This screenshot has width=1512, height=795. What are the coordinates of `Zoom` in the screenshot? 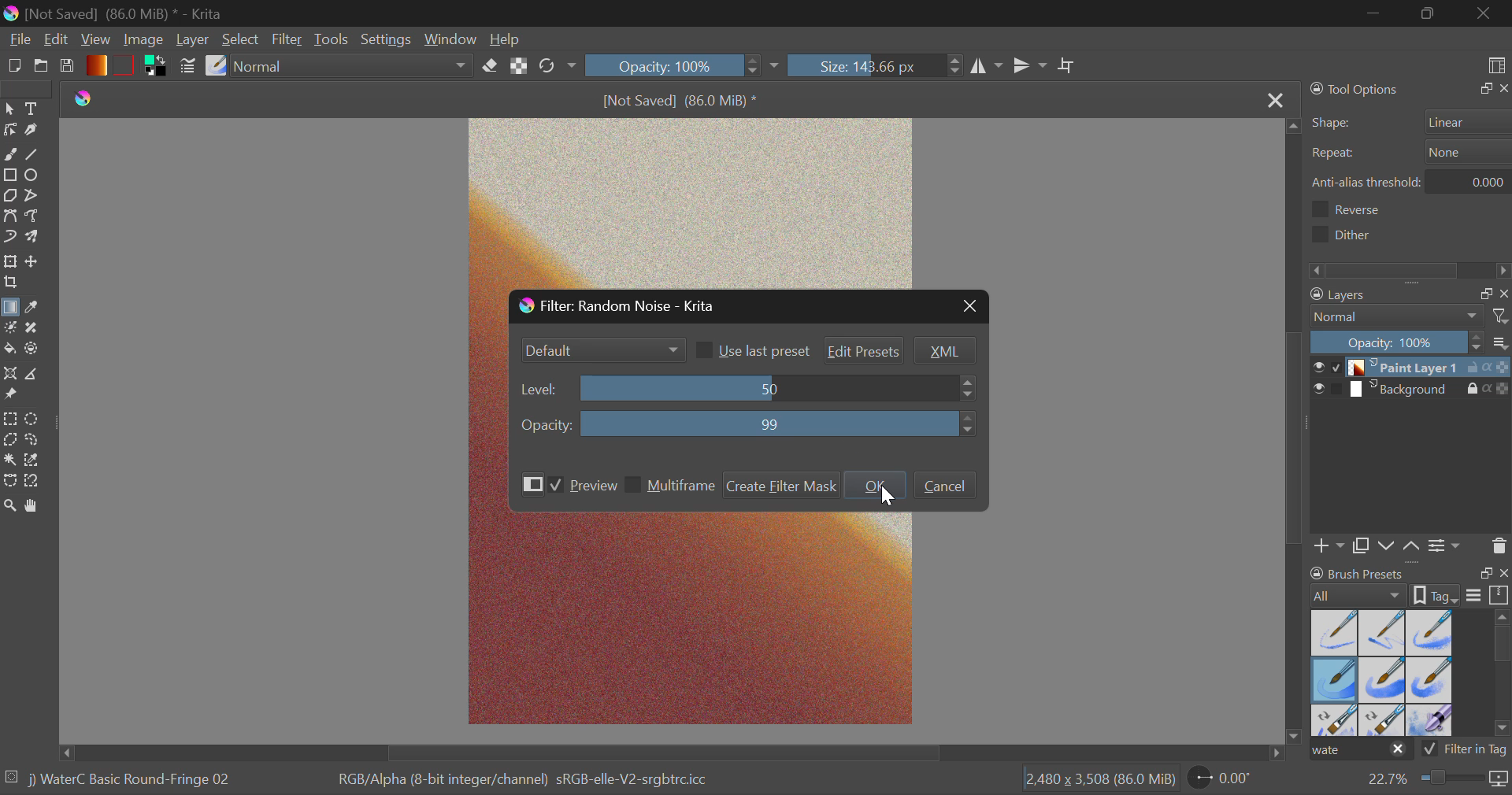 It's located at (10, 506).